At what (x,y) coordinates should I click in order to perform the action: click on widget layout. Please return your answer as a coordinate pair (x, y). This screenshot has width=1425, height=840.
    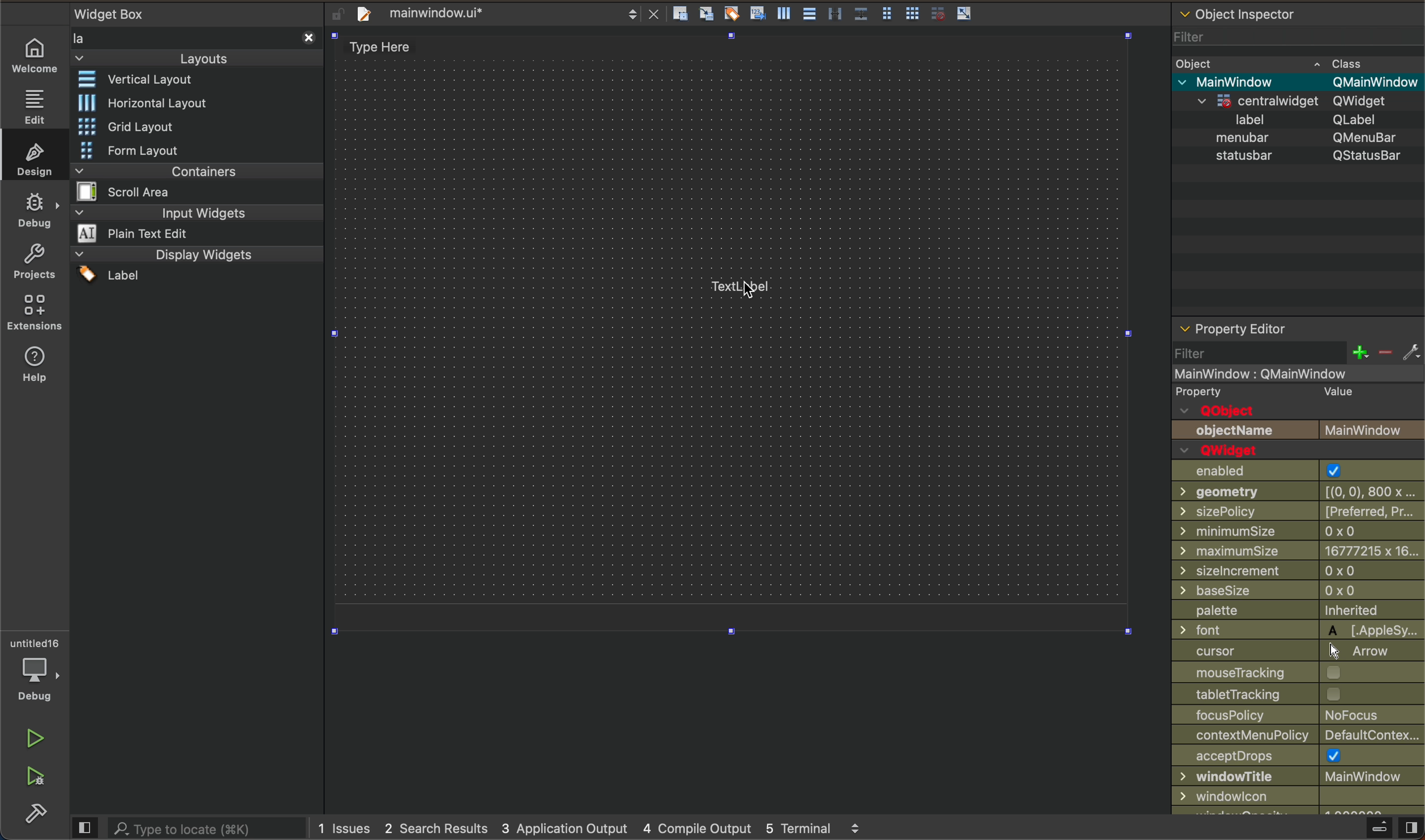
    Looking at the image, I should click on (147, 82).